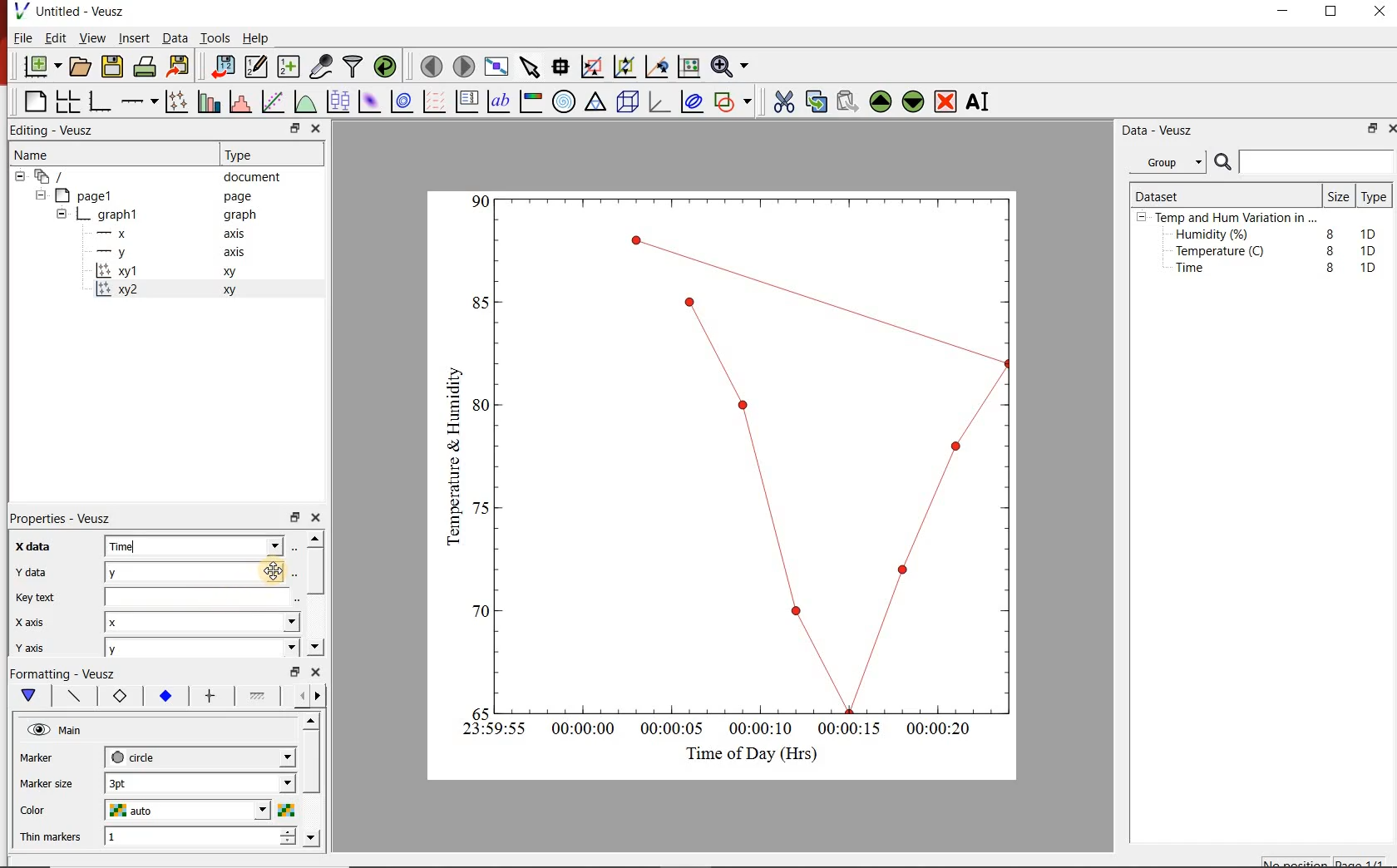 The width and height of the screenshot is (1397, 868). What do you see at coordinates (131, 38) in the screenshot?
I see `Insert` at bounding box center [131, 38].